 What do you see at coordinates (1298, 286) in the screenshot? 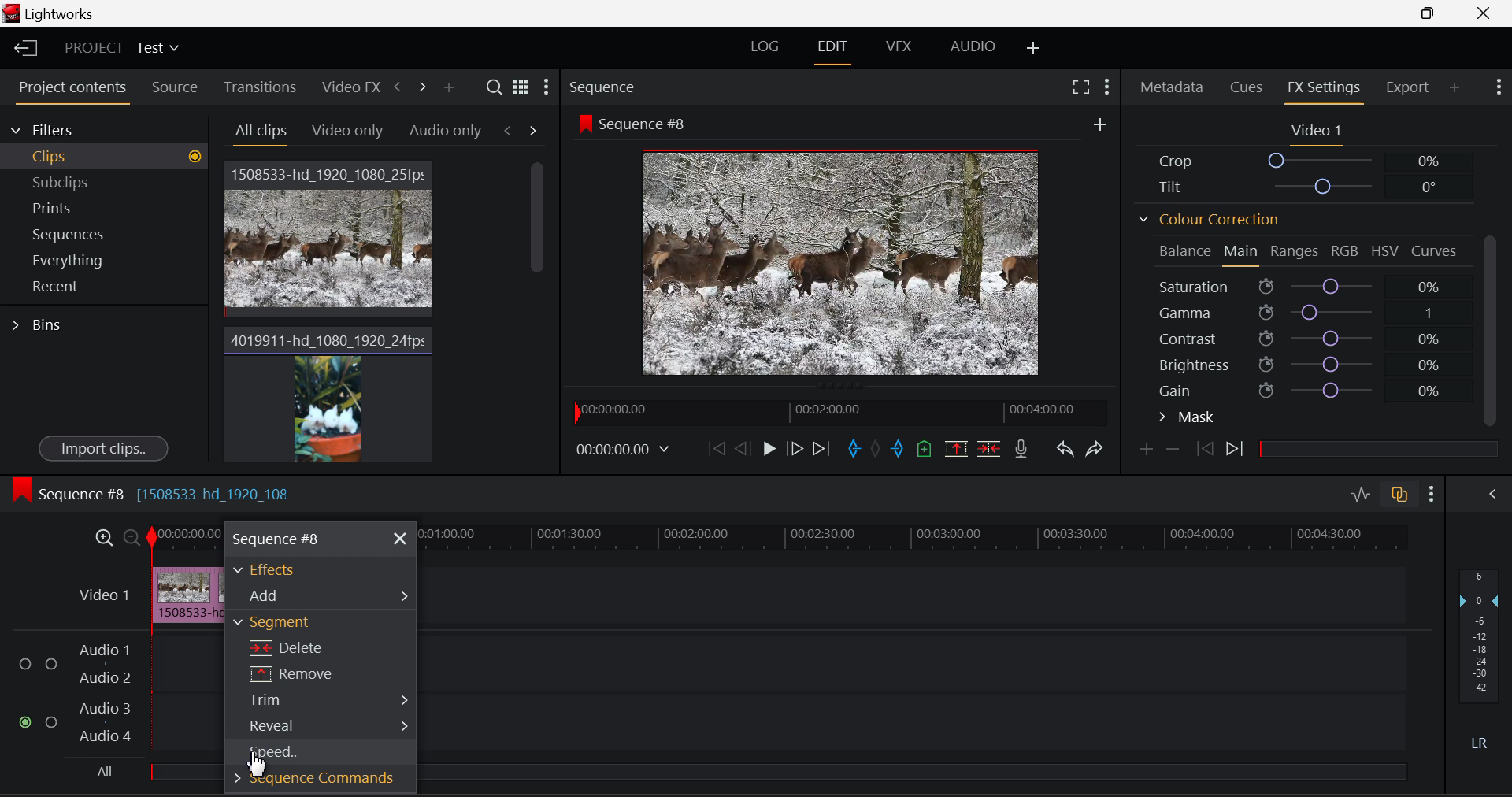
I see `Saturation` at bounding box center [1298, 286].